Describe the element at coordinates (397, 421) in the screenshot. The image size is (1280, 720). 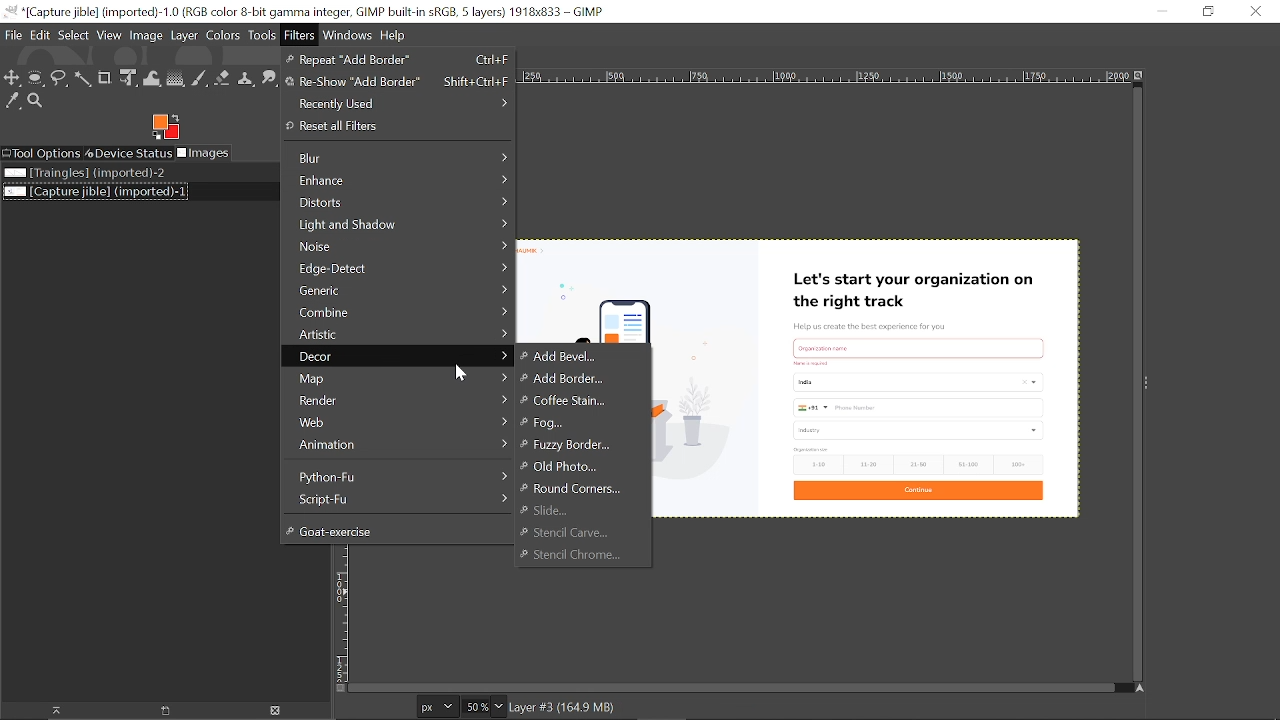
I see `Web` at that location.